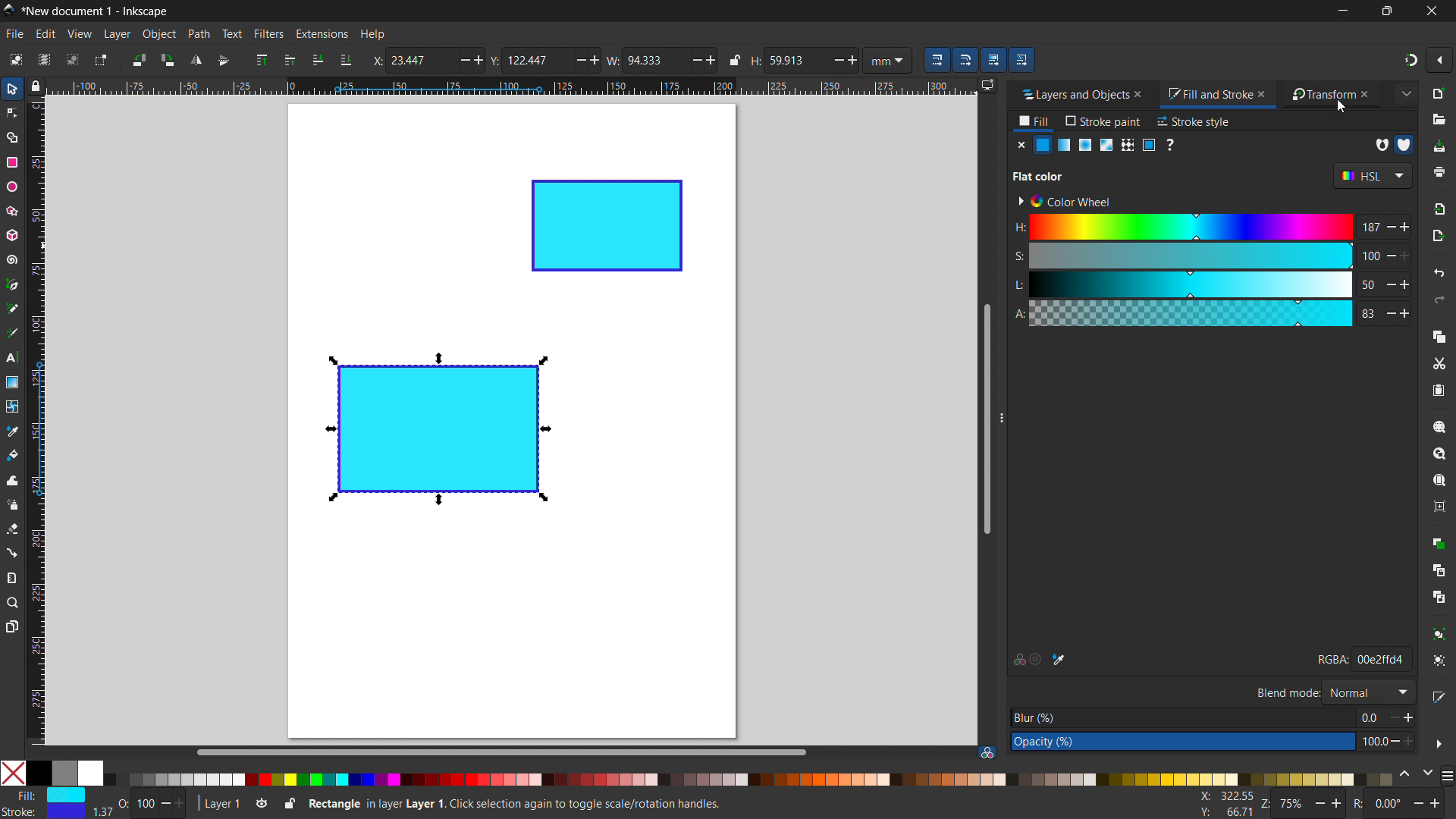 The height and width of the screenshot is (819, 1456). What do you see at coordinates (64, 773) in the screenshot?
I see `grey` at bounding box center [64, 773].